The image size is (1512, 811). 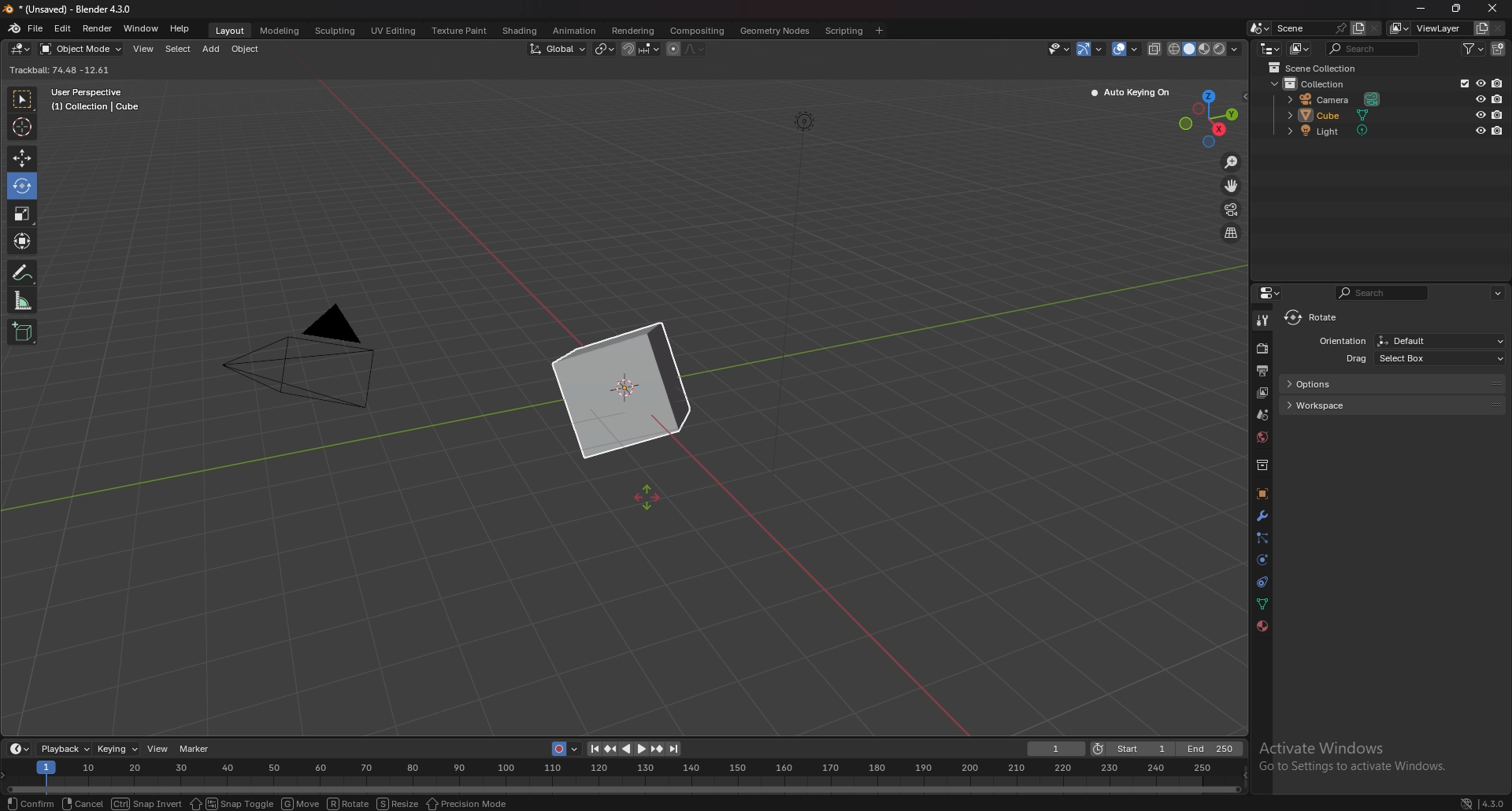 I want to click on hide in view port, so click(x=1480, y=130).